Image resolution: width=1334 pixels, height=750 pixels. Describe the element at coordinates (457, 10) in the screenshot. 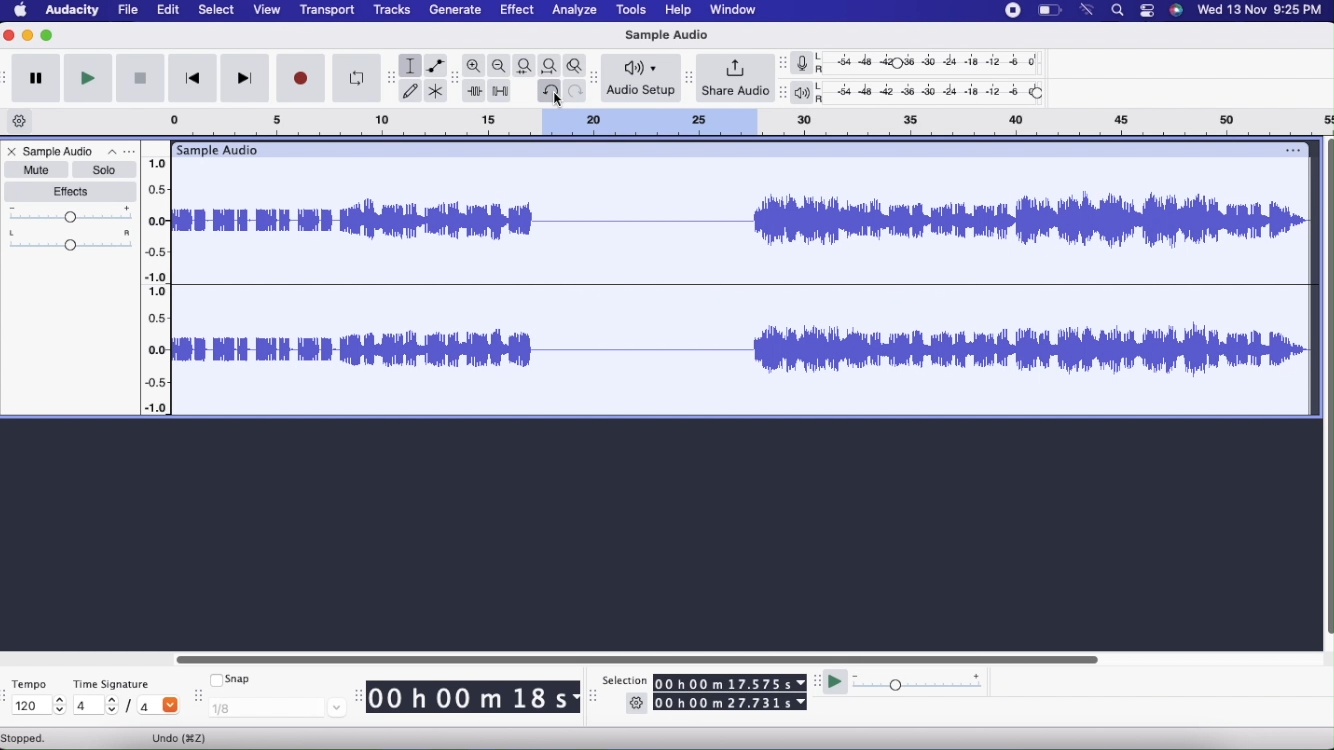

I see `Generate` at that location.